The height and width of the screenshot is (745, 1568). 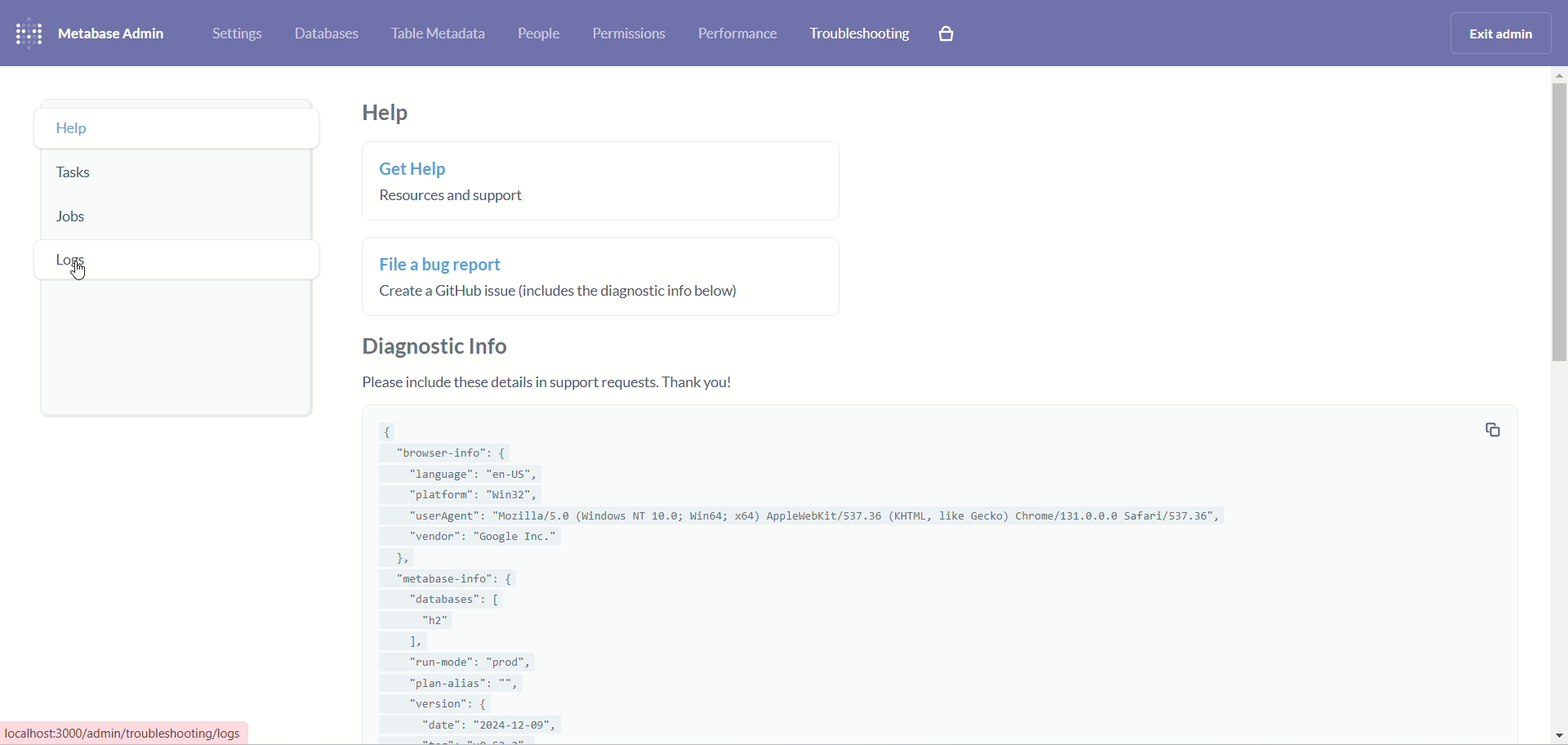 What do you see at coordinates (1558, 408) in the screenshot?
I see `vertical scroll bar` at bounding box center [1558, 408].